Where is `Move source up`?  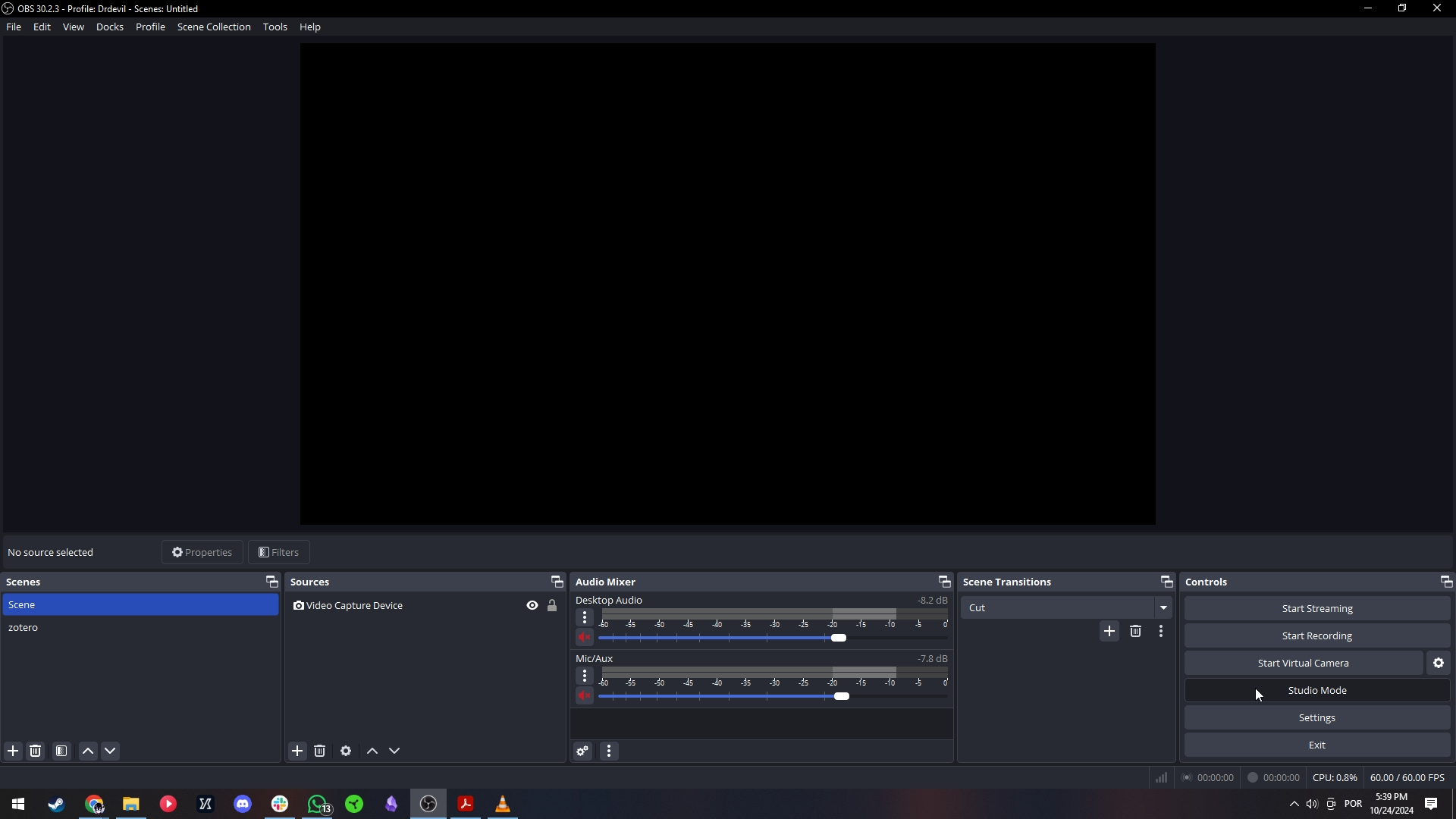
Move source up is located at coordinates (373, 752).